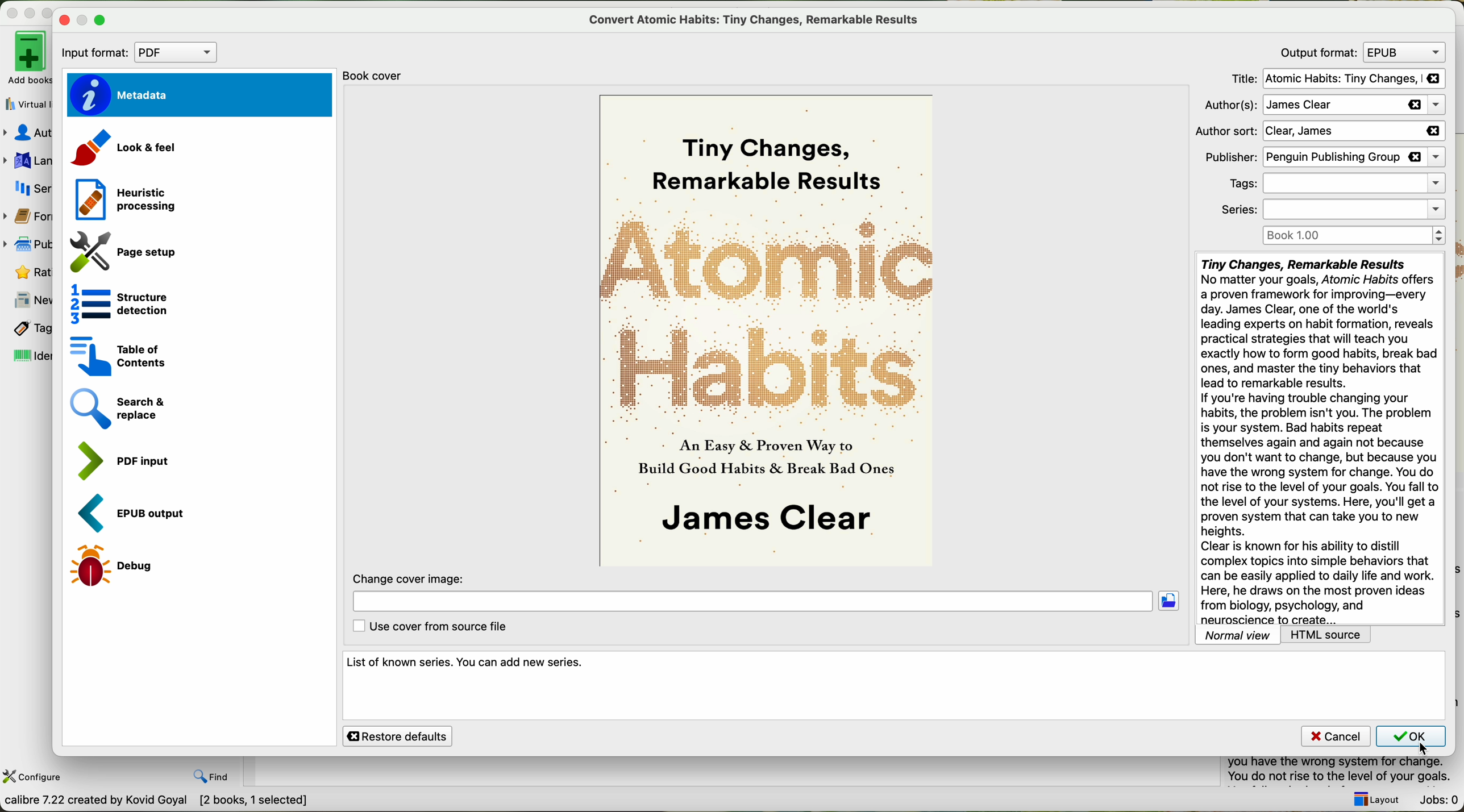 This screenshot has height=812, width=1464. What do you see at coordinates (765, 593) in the screenshot?
I see `change cover image` at bounding box center [765, 593].